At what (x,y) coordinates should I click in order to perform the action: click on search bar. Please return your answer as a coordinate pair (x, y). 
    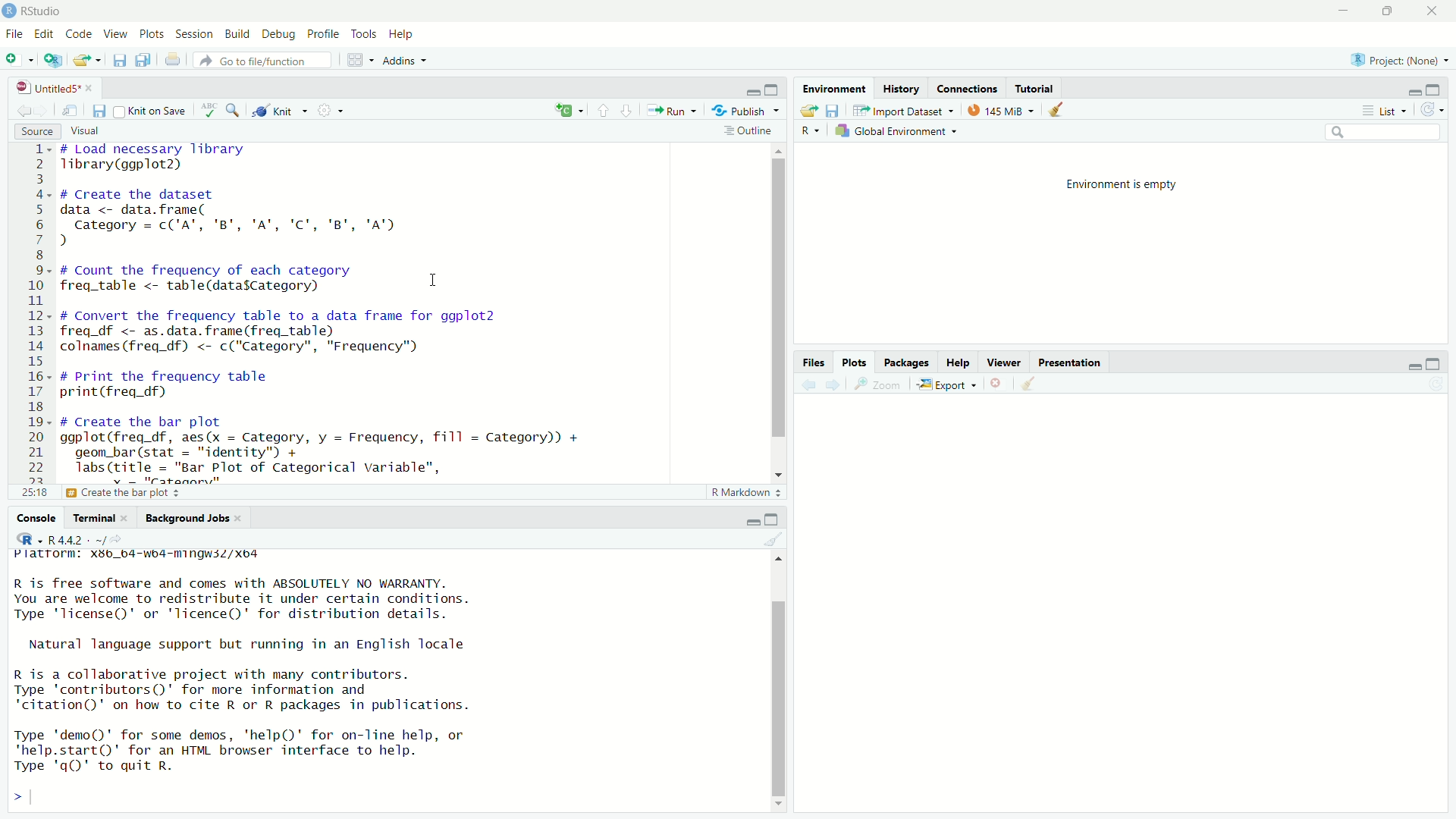
    Looking at the image, I should click on (1380, 132).